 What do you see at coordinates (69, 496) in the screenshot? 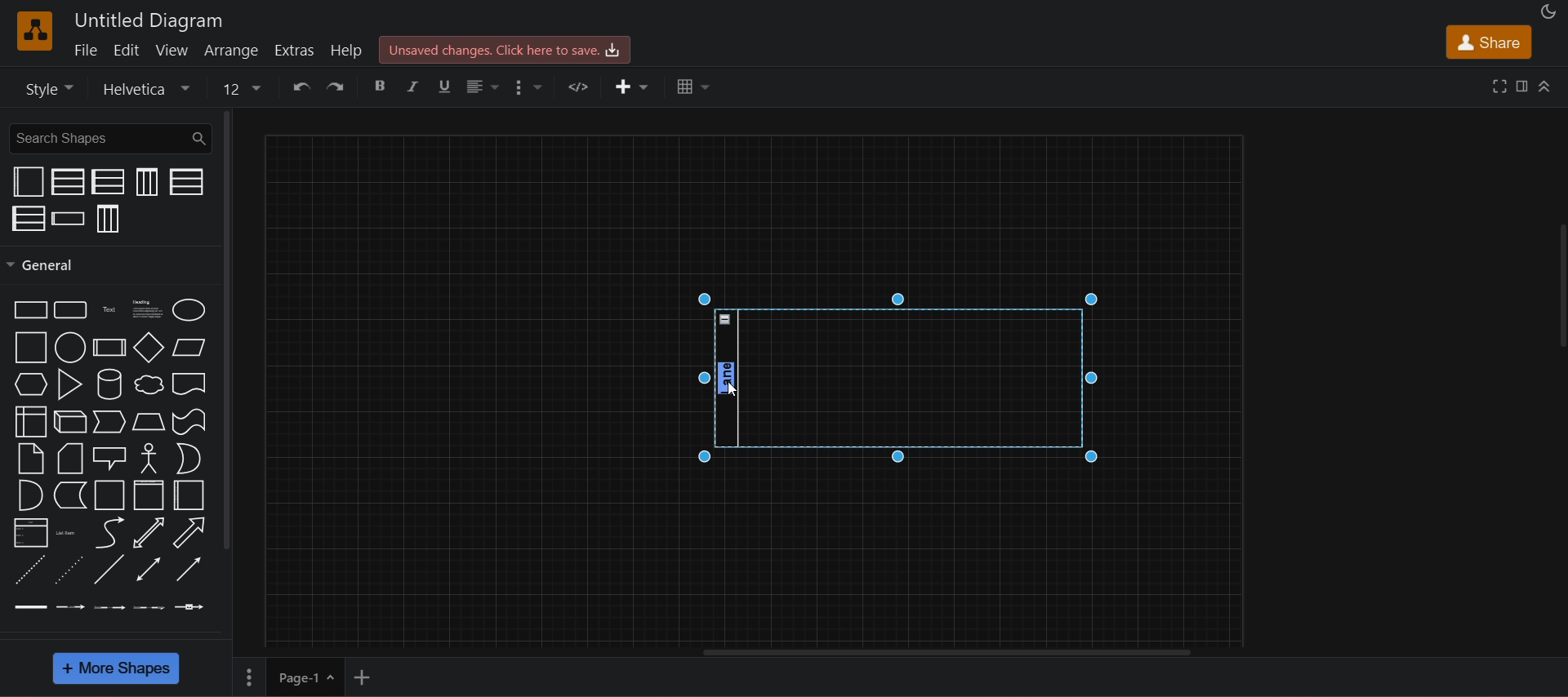
I see `data storage` at bounding box center [69, 496].